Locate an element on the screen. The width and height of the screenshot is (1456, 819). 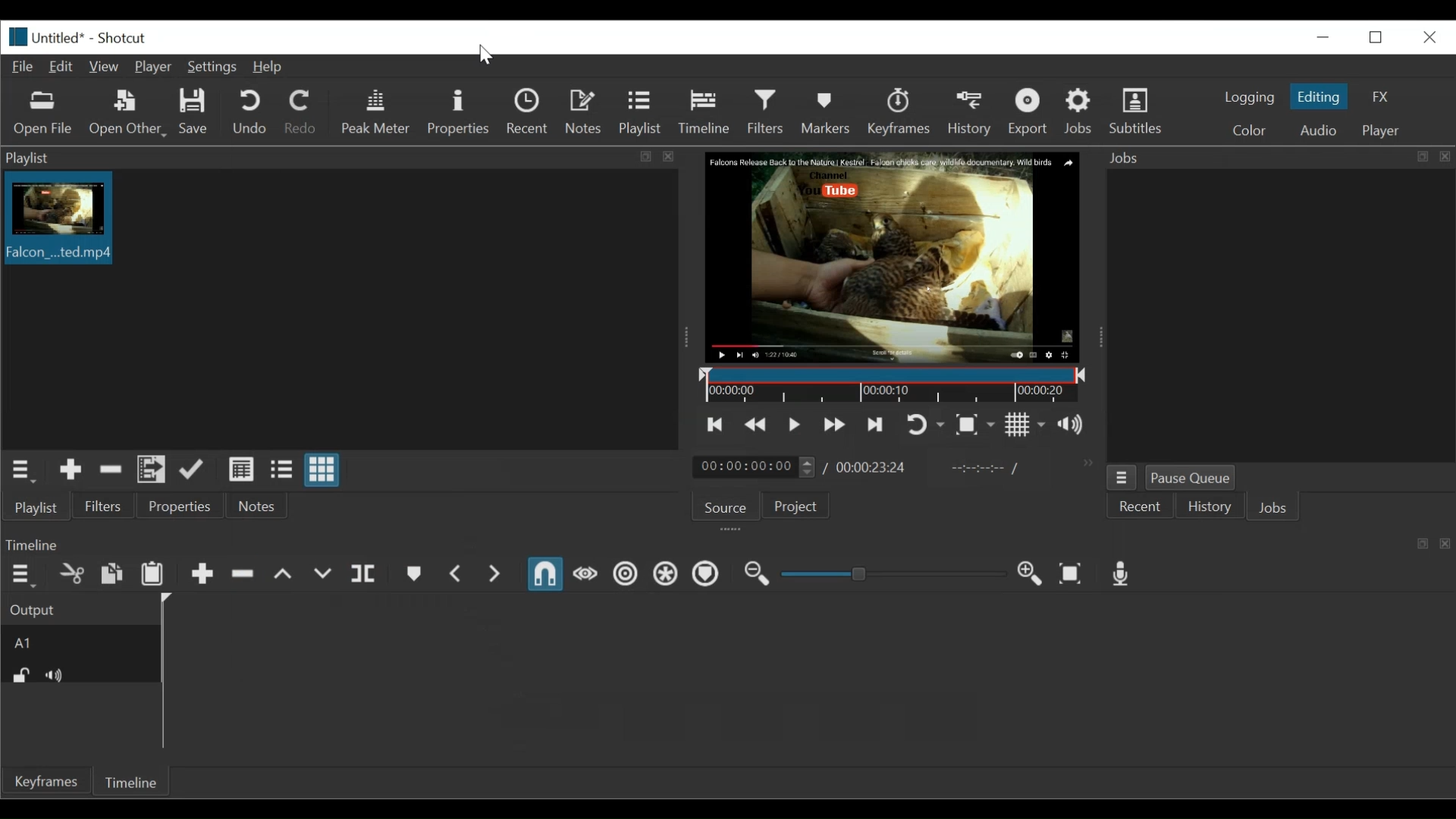
Playlist is located at coordinates (341, 158).